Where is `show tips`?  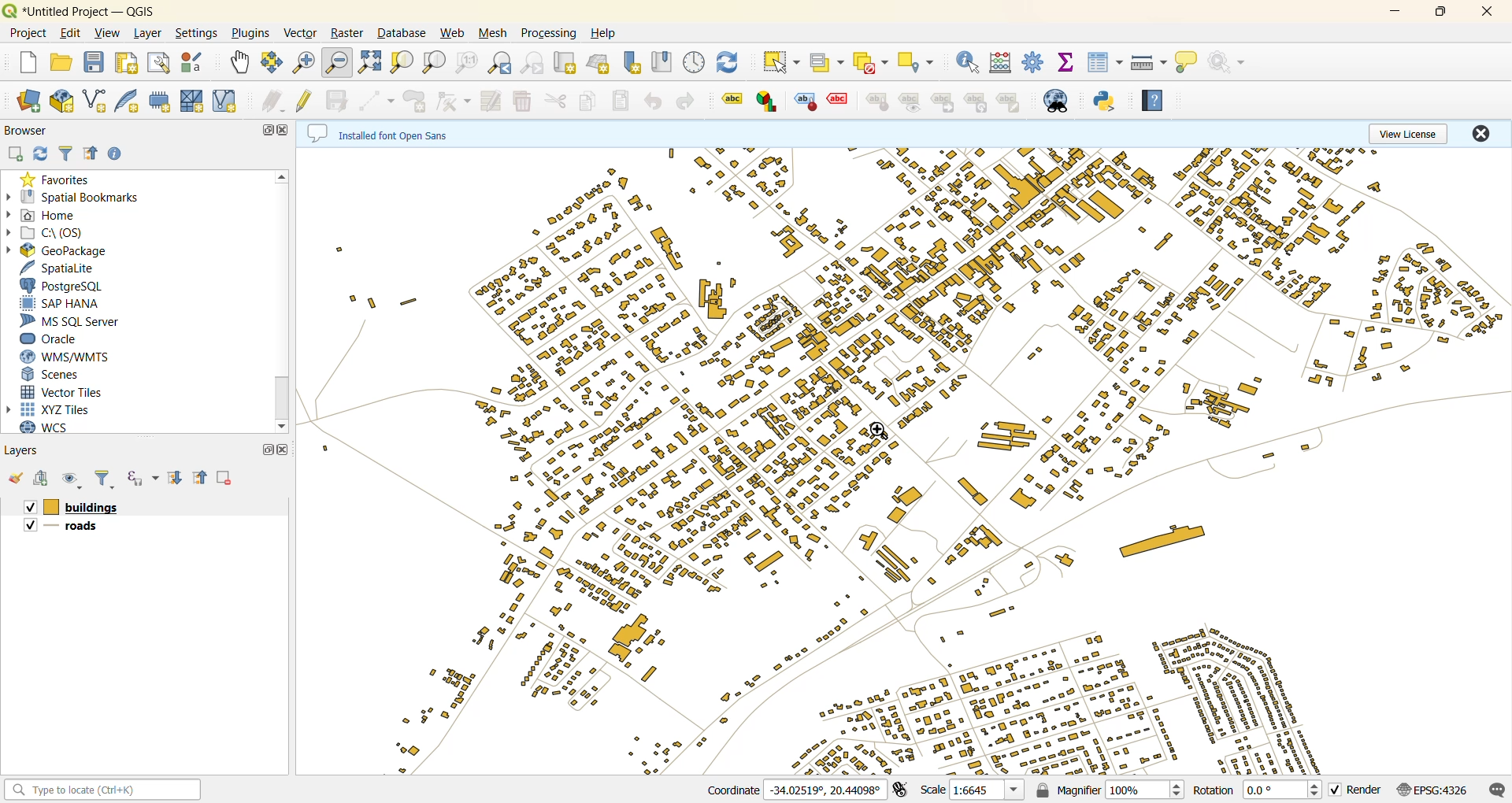 show tips is located at coordinates (1185, 65).